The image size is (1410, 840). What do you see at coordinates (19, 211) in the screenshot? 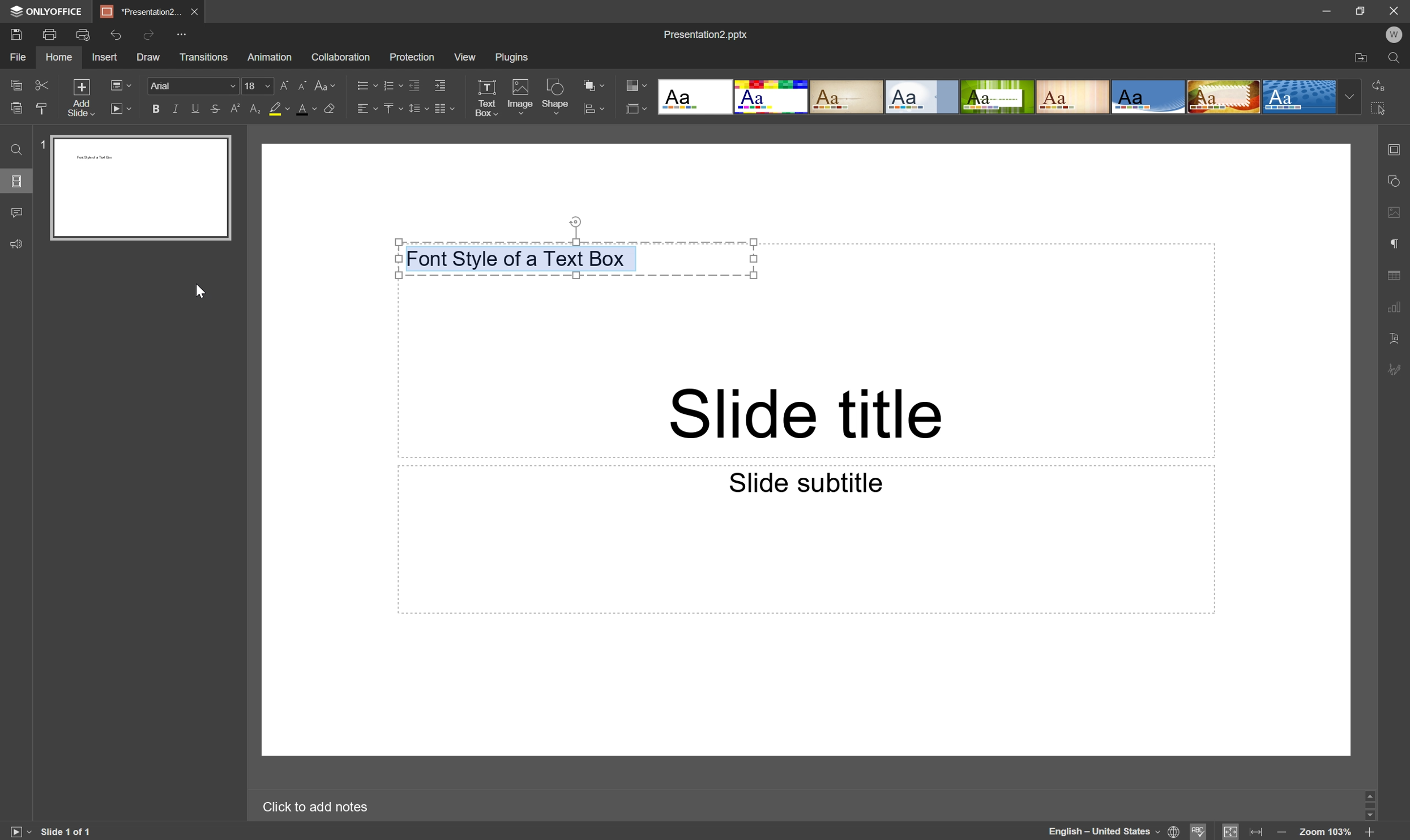
I see `Comments` at bounding box center [19, 211].